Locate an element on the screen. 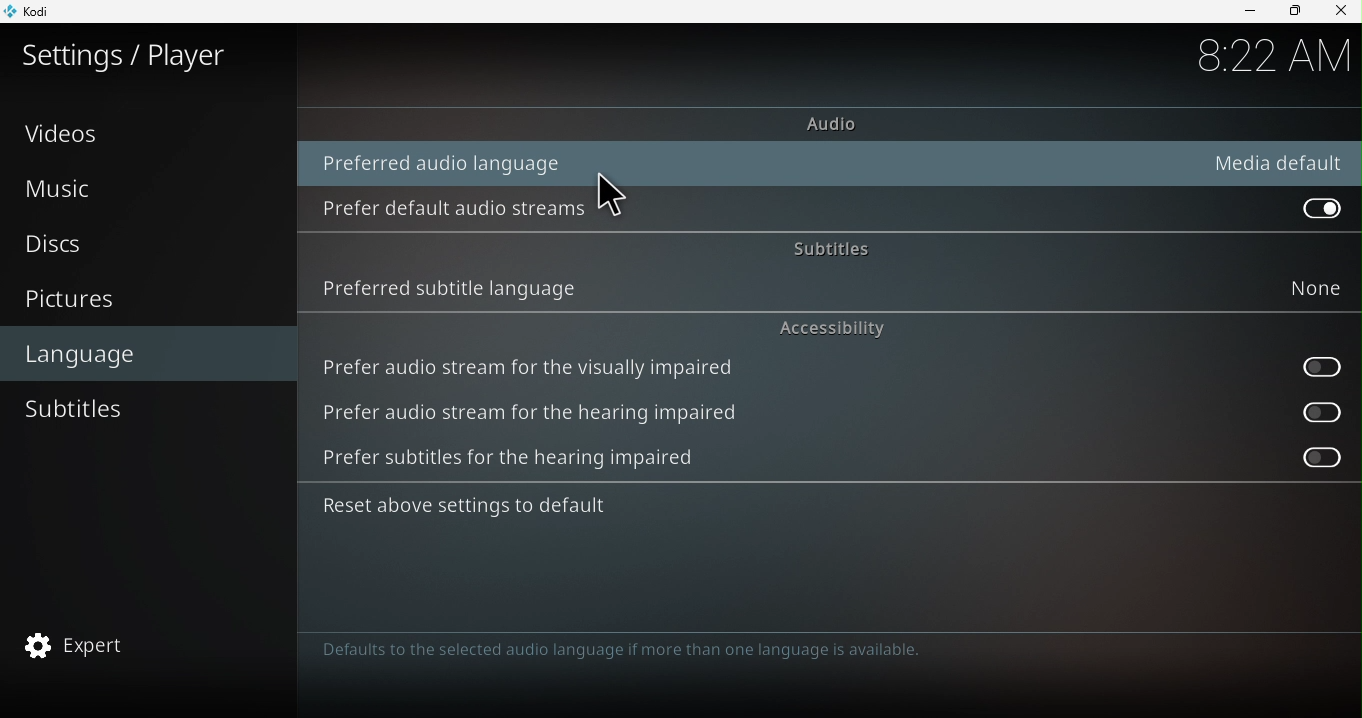 This screenshot has height=718, width=1362. Prefer audio stream for the hearing impaired is located at coordinates (1313, 411).